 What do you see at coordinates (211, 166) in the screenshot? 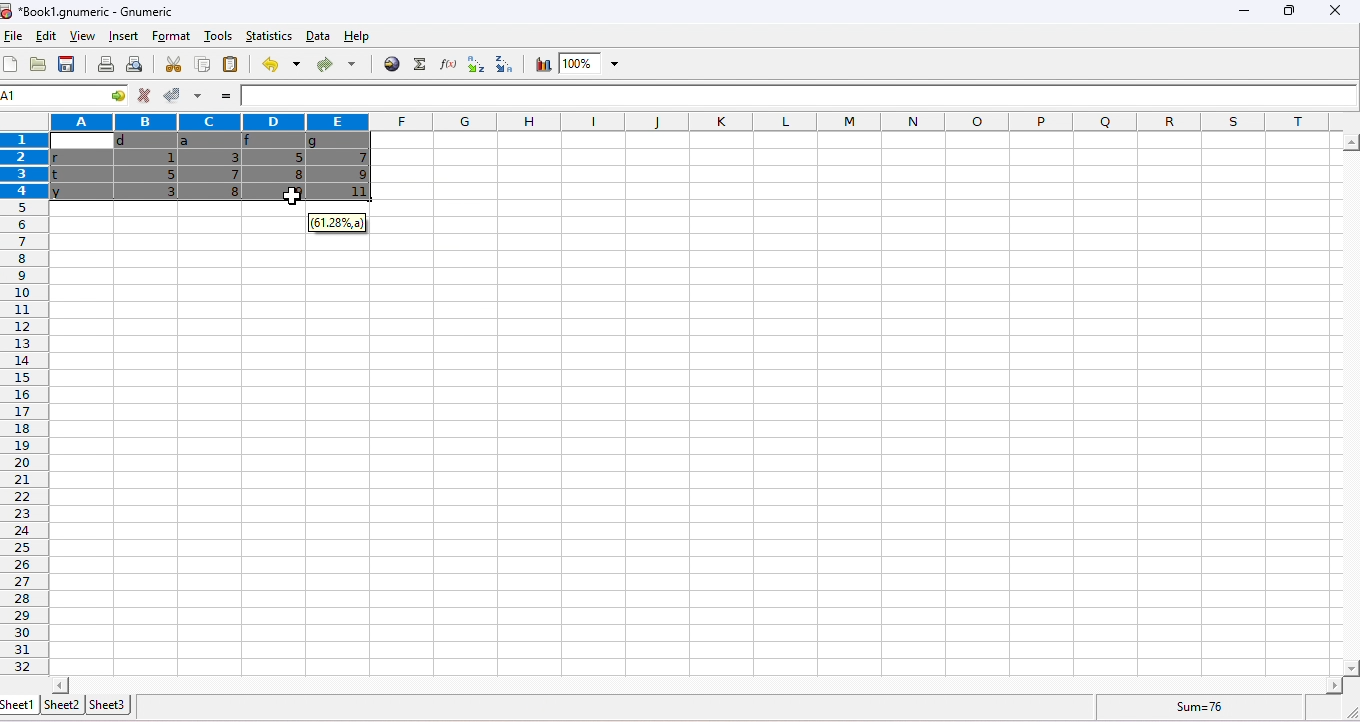
I see `dragged` at bounding box center [211, 166].